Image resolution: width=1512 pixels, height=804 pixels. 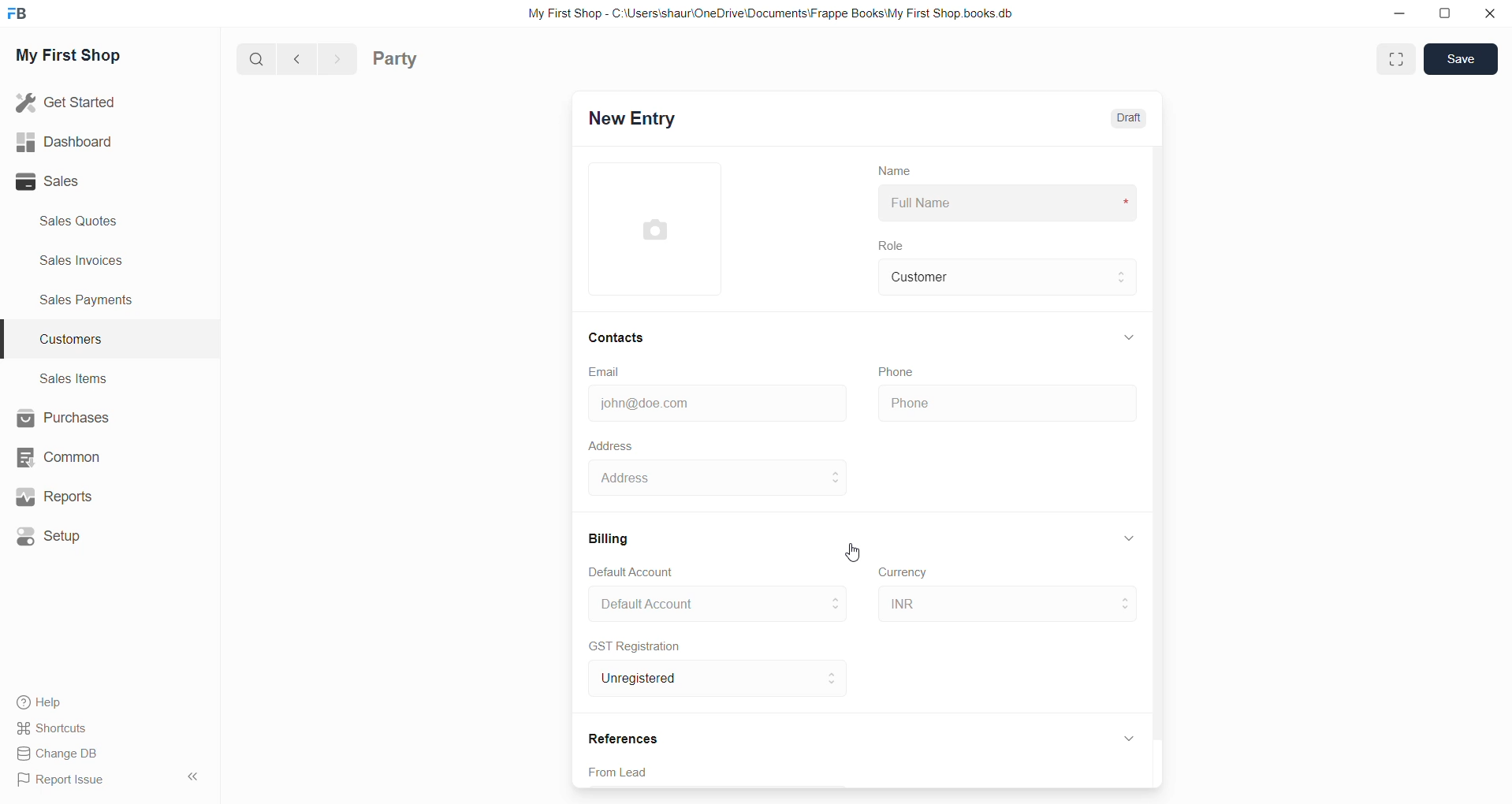 What do you see at coordinates (337, 60) in the screenshot?
I see `go forward` at bounding box center [337, 60].